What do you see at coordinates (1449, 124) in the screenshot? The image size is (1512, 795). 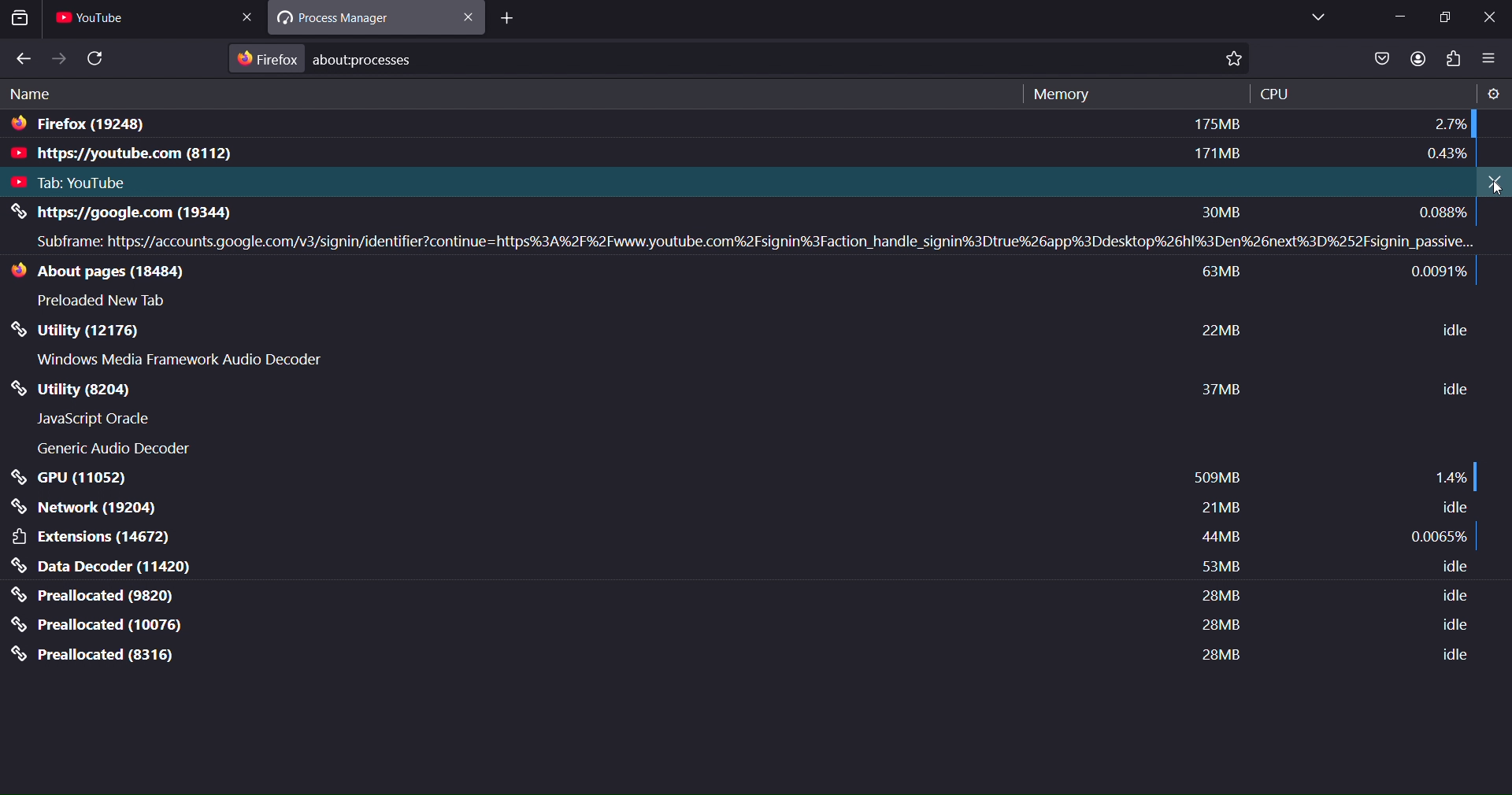 I see `2.7%` at bounding box center [1449, 124].